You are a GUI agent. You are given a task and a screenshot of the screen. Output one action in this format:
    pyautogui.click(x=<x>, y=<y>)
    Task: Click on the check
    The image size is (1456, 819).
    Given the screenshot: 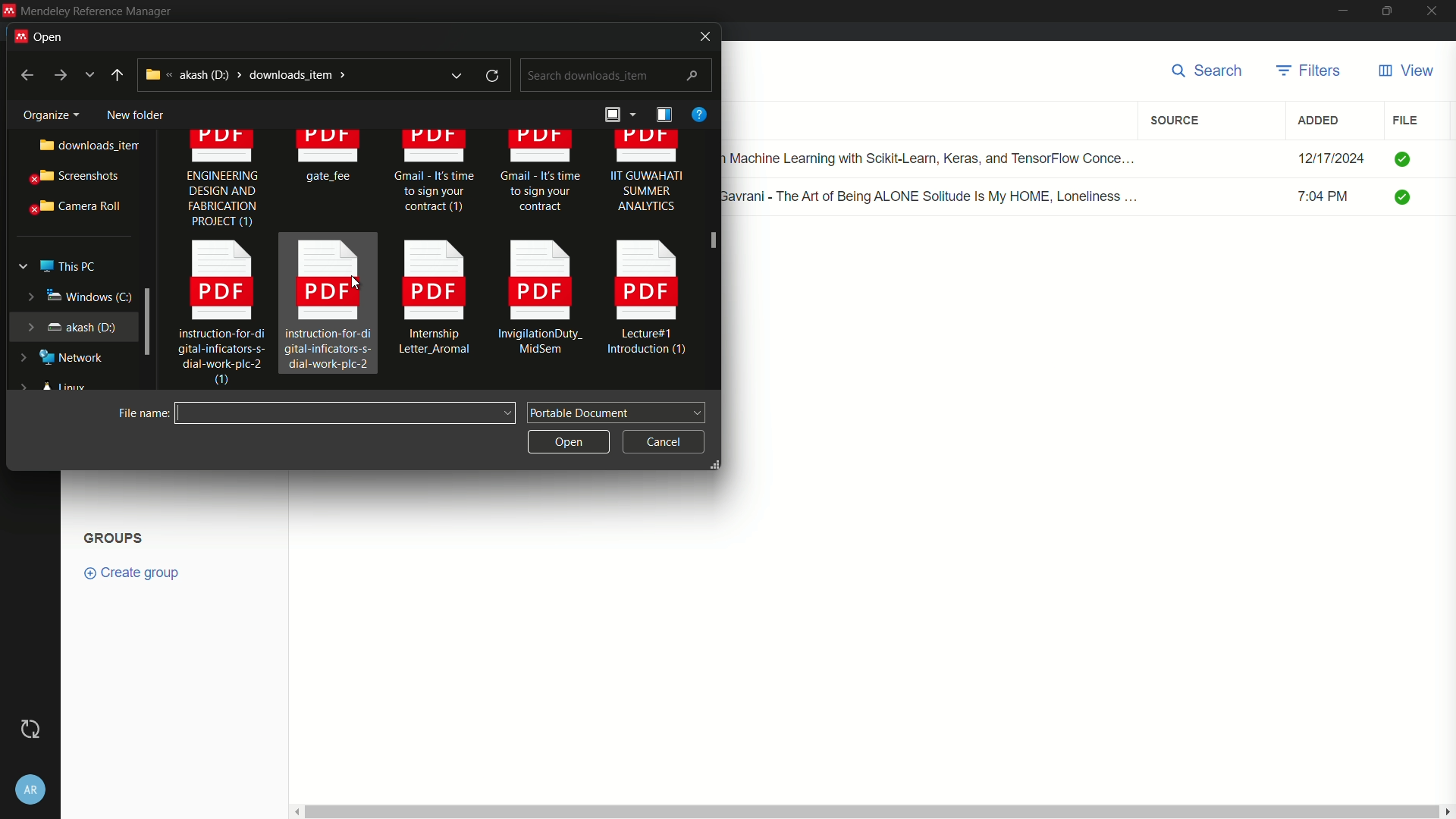 What is the action you would take?
    pyautogui.click(x=1404, y=158)
    